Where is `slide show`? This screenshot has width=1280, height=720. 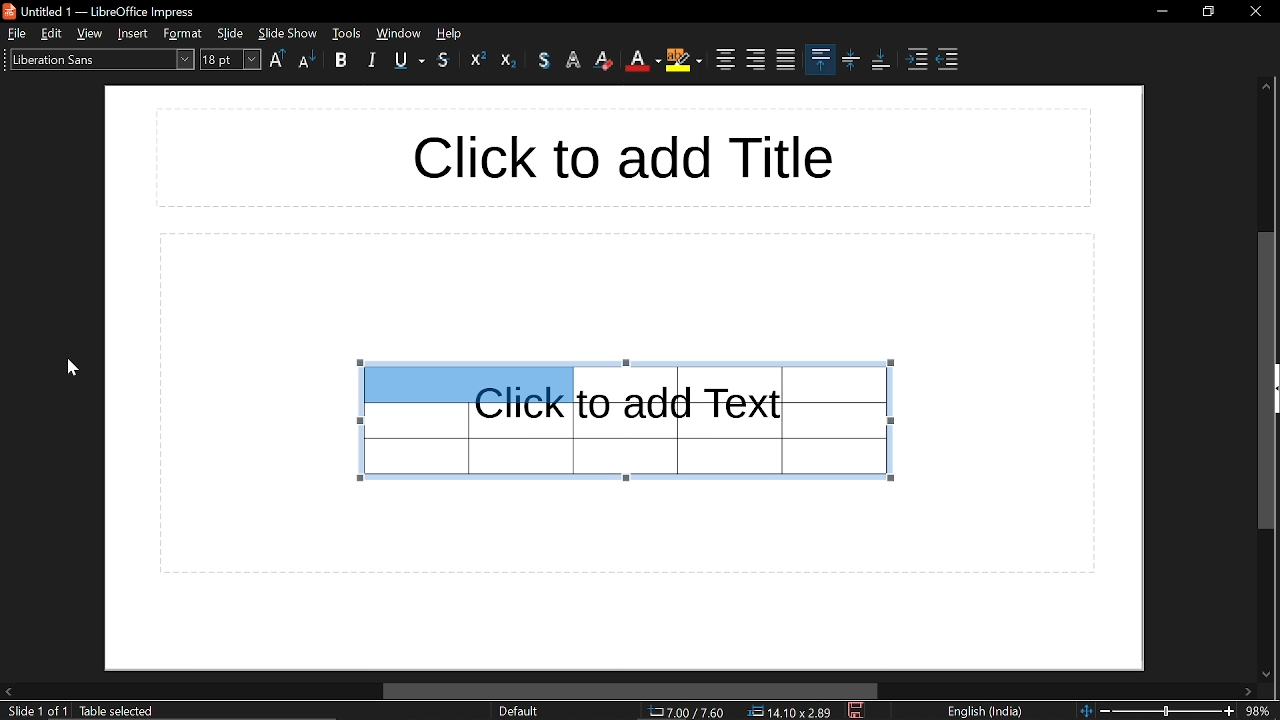
slide show is located at coordinates (288, 33).